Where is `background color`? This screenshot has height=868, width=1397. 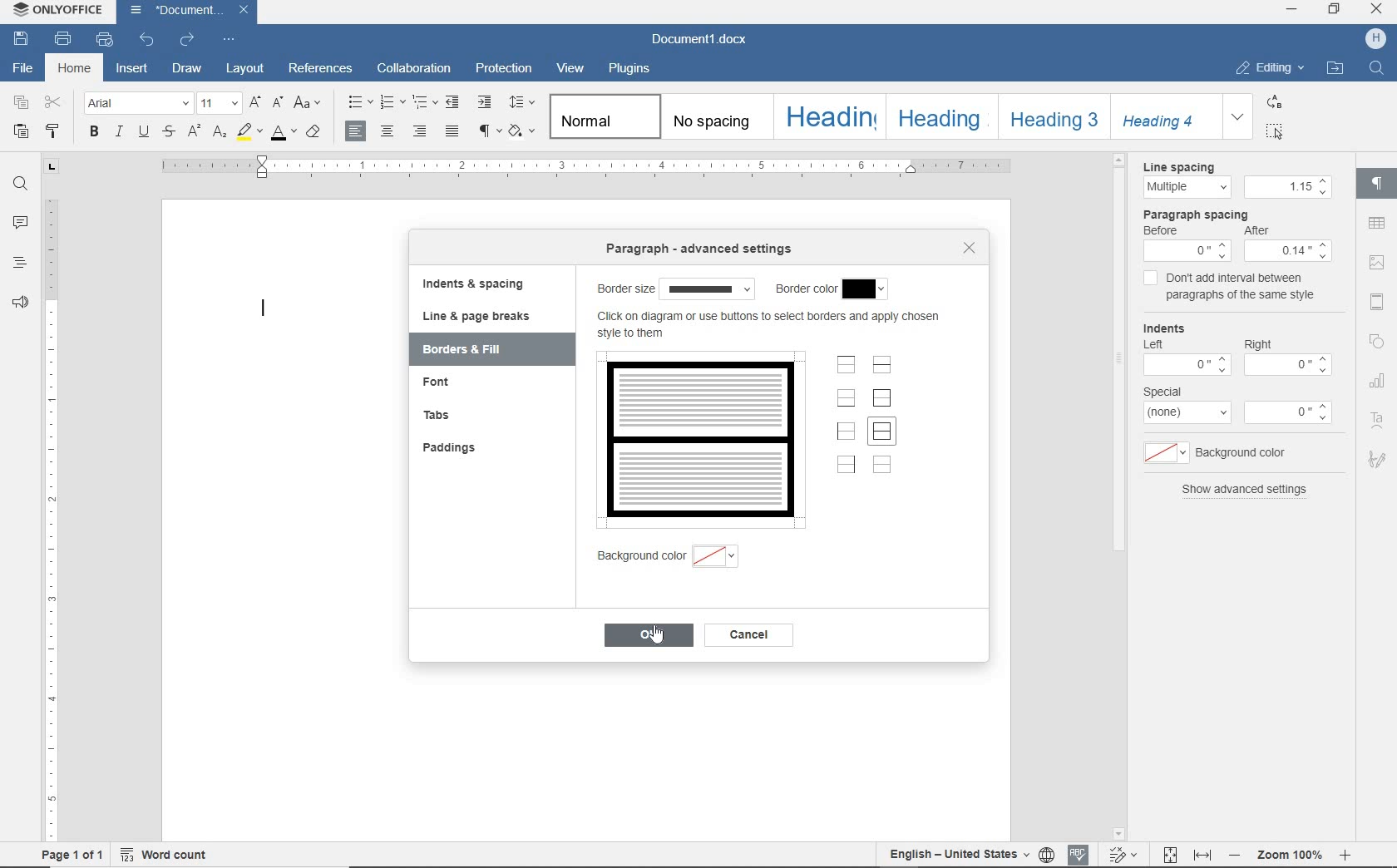 background color is located at coordinates (1233, 455).